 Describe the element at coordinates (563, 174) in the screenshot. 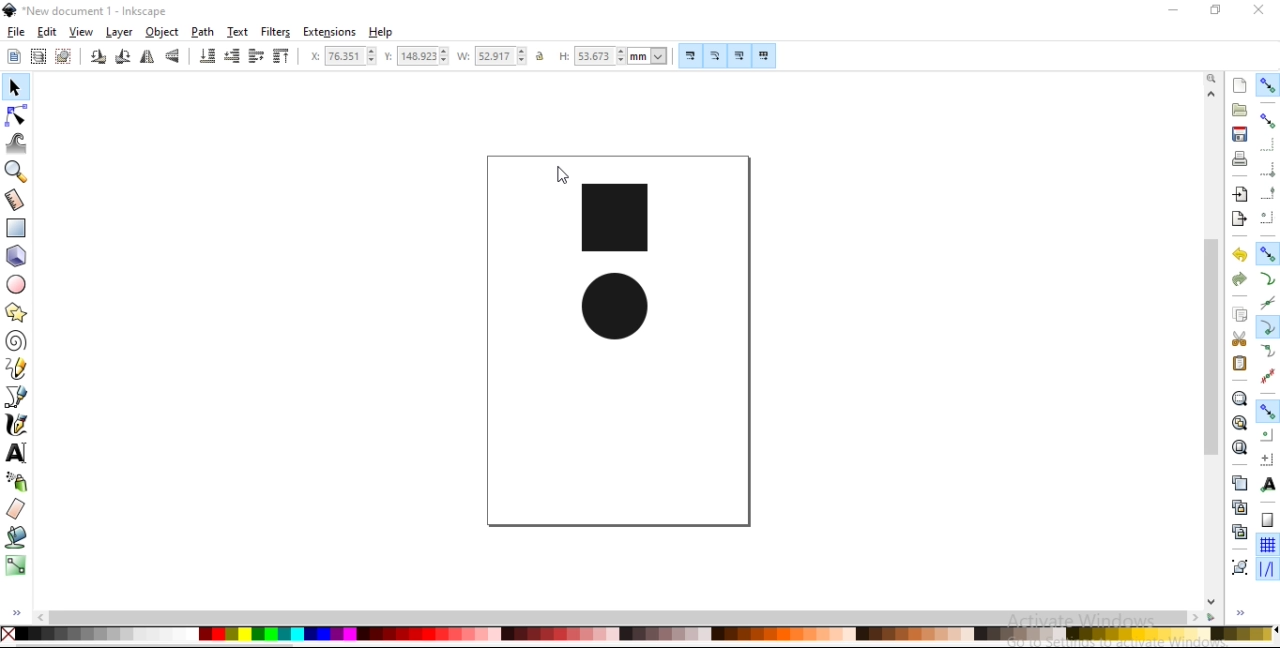

I see `cursor` at that location.